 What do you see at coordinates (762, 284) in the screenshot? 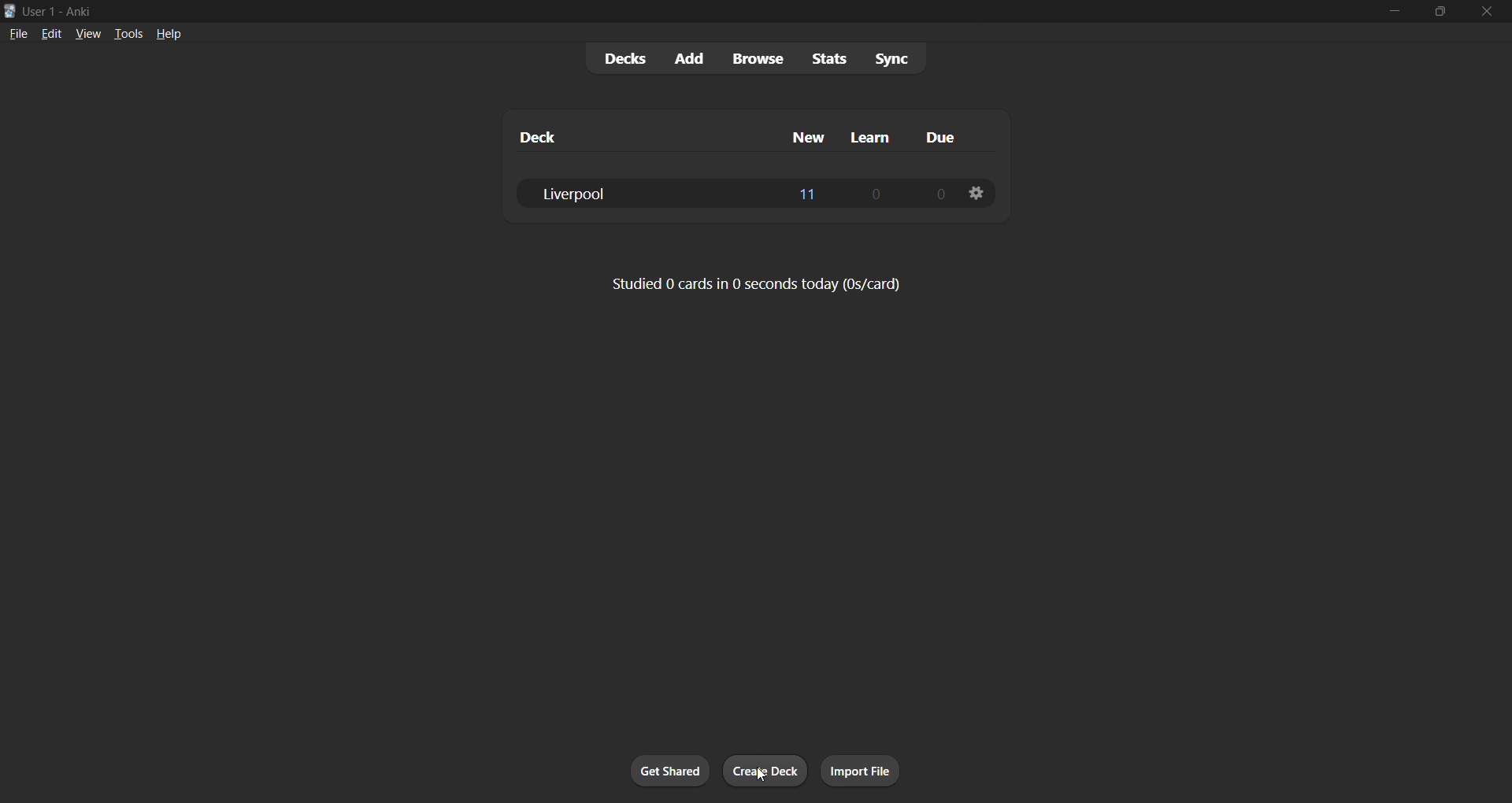
I see `card stats` at bounding box center [762, 284].